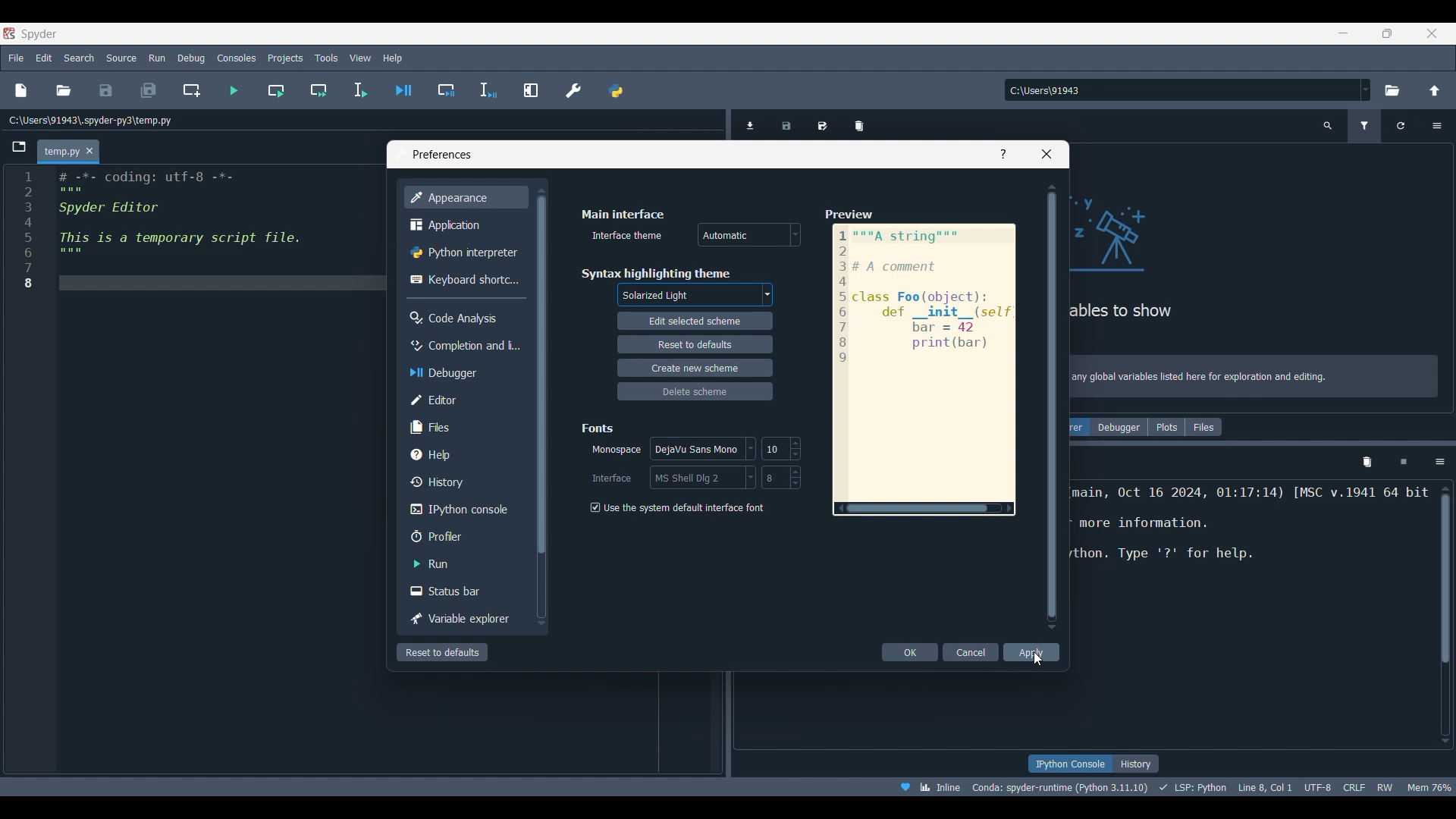 The height and width of the screenshot is (819, 1456). I want to click on Browse a working directory, so click(1392, 90).